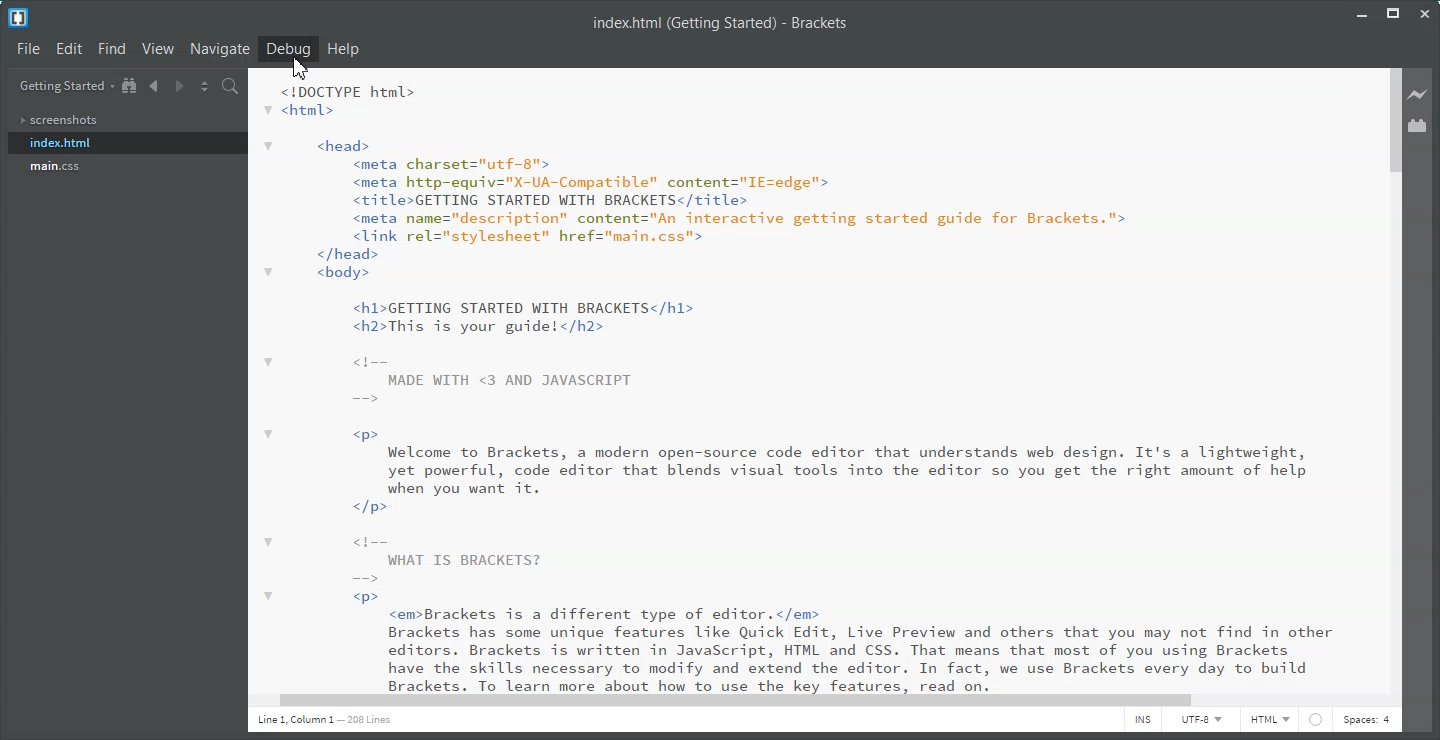 The image size is (1440, 740). I want to click on Live Preview, so click(1418, 94).